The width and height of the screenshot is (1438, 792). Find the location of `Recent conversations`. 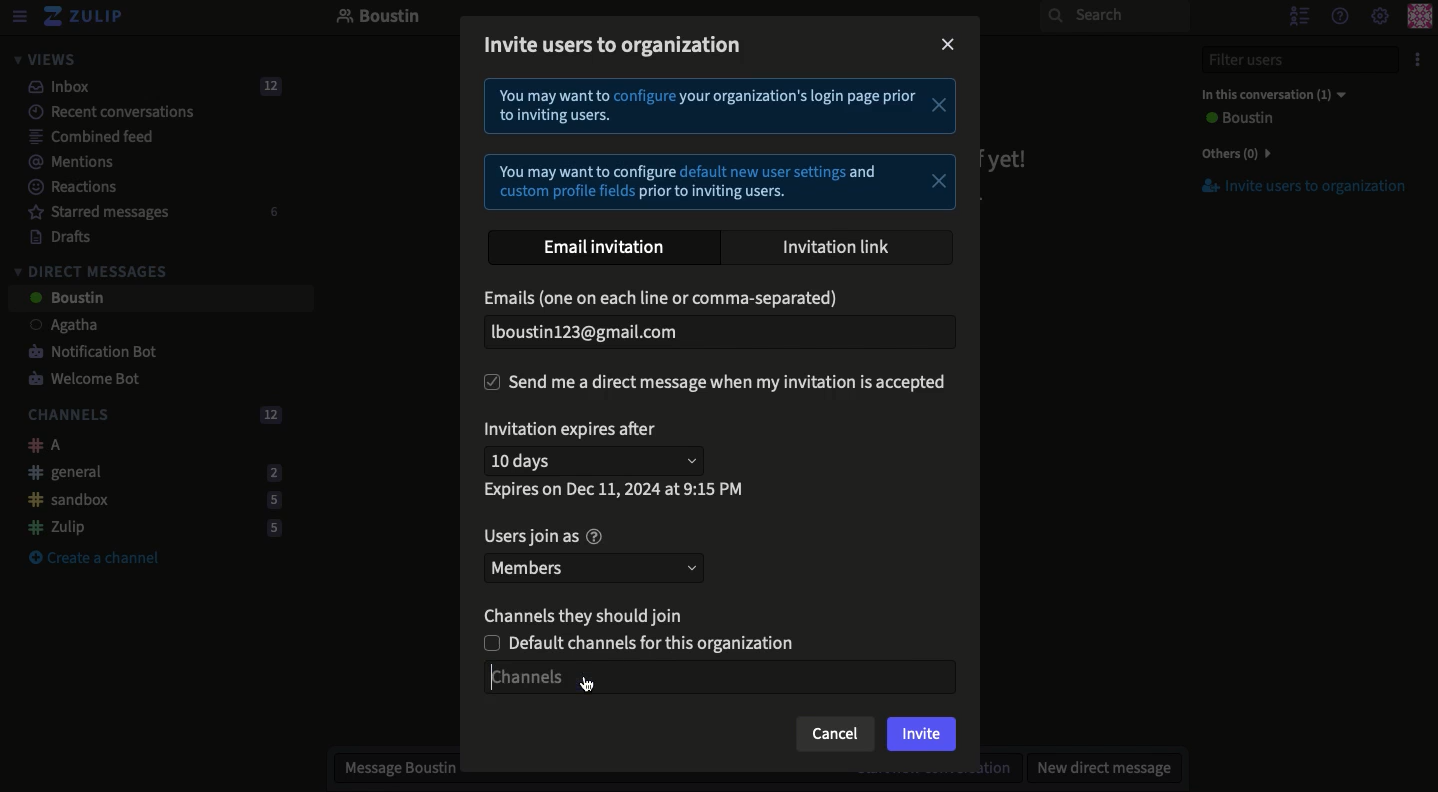

Recent conversations is located at coordinates (99, 111).